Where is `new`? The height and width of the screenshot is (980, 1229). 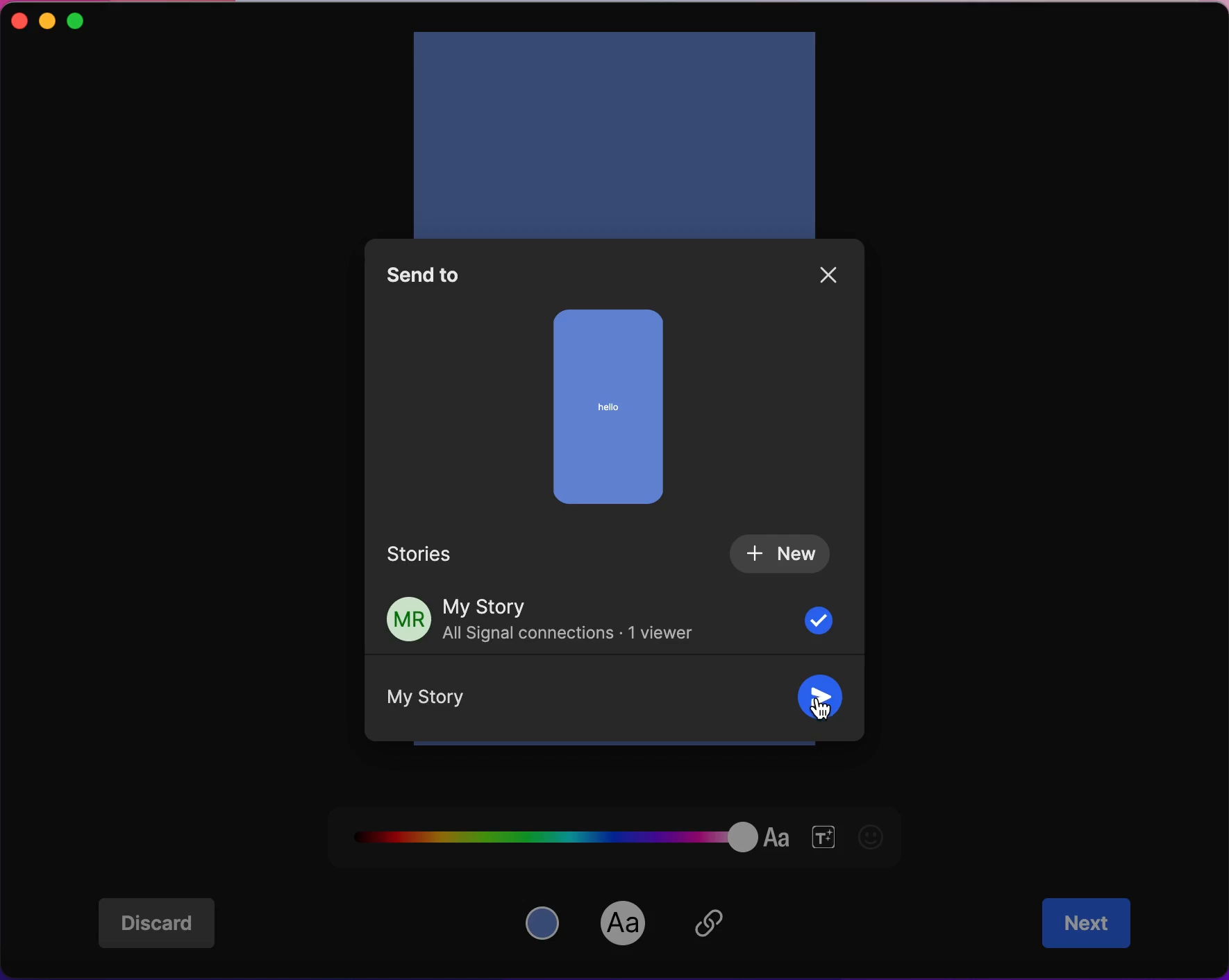 new is located at coordinates (778, 552).